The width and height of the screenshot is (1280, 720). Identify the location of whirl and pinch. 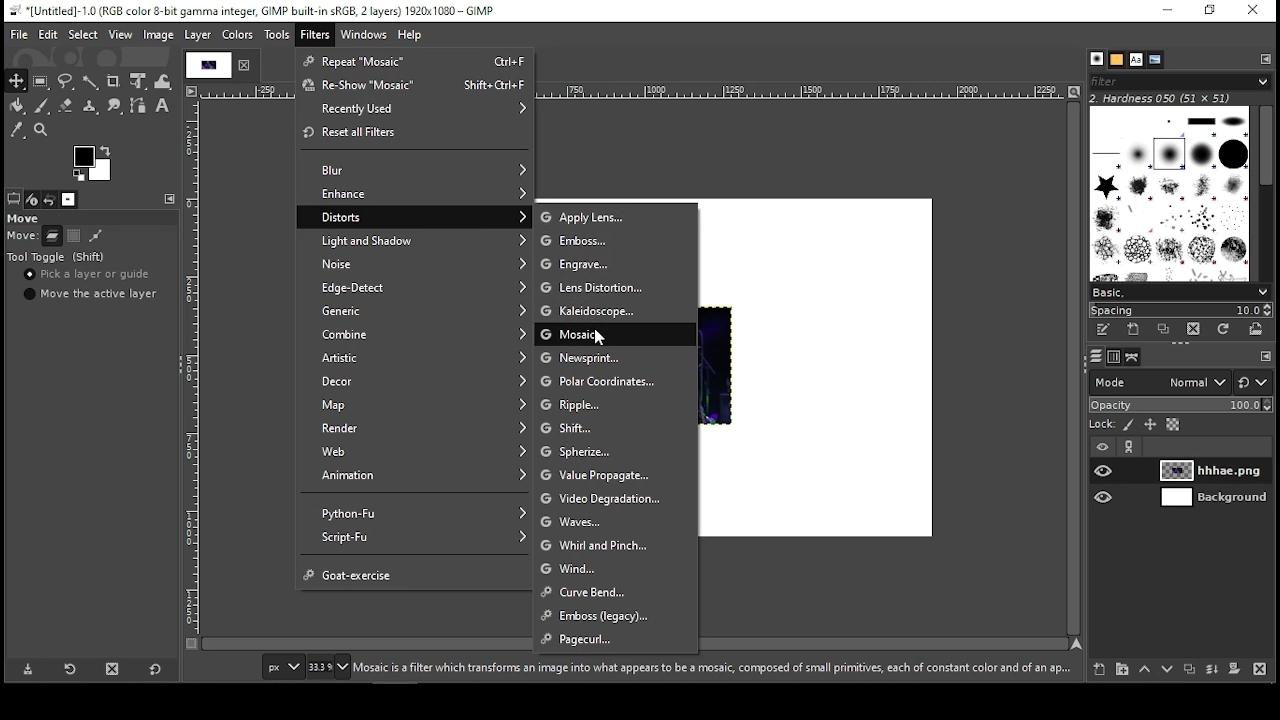
(616, 547).